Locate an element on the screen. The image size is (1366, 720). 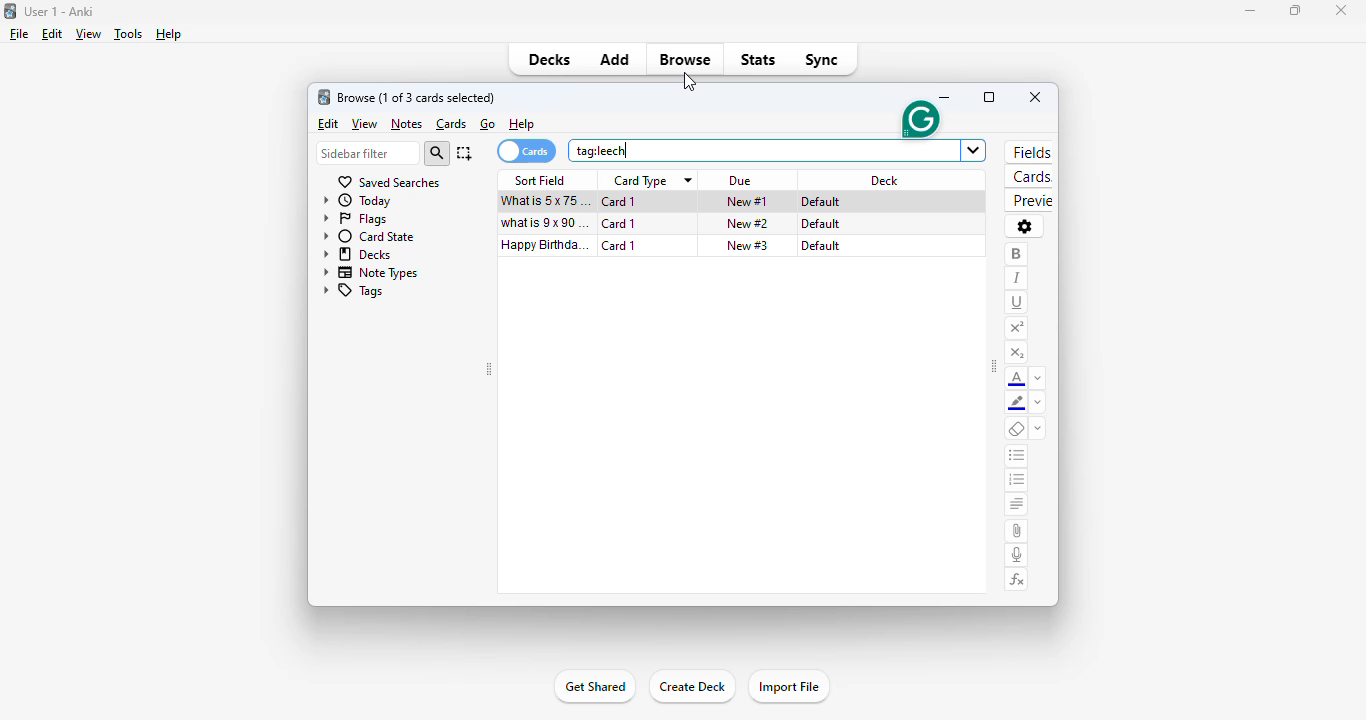
logo is located at coordinates (324, 96).